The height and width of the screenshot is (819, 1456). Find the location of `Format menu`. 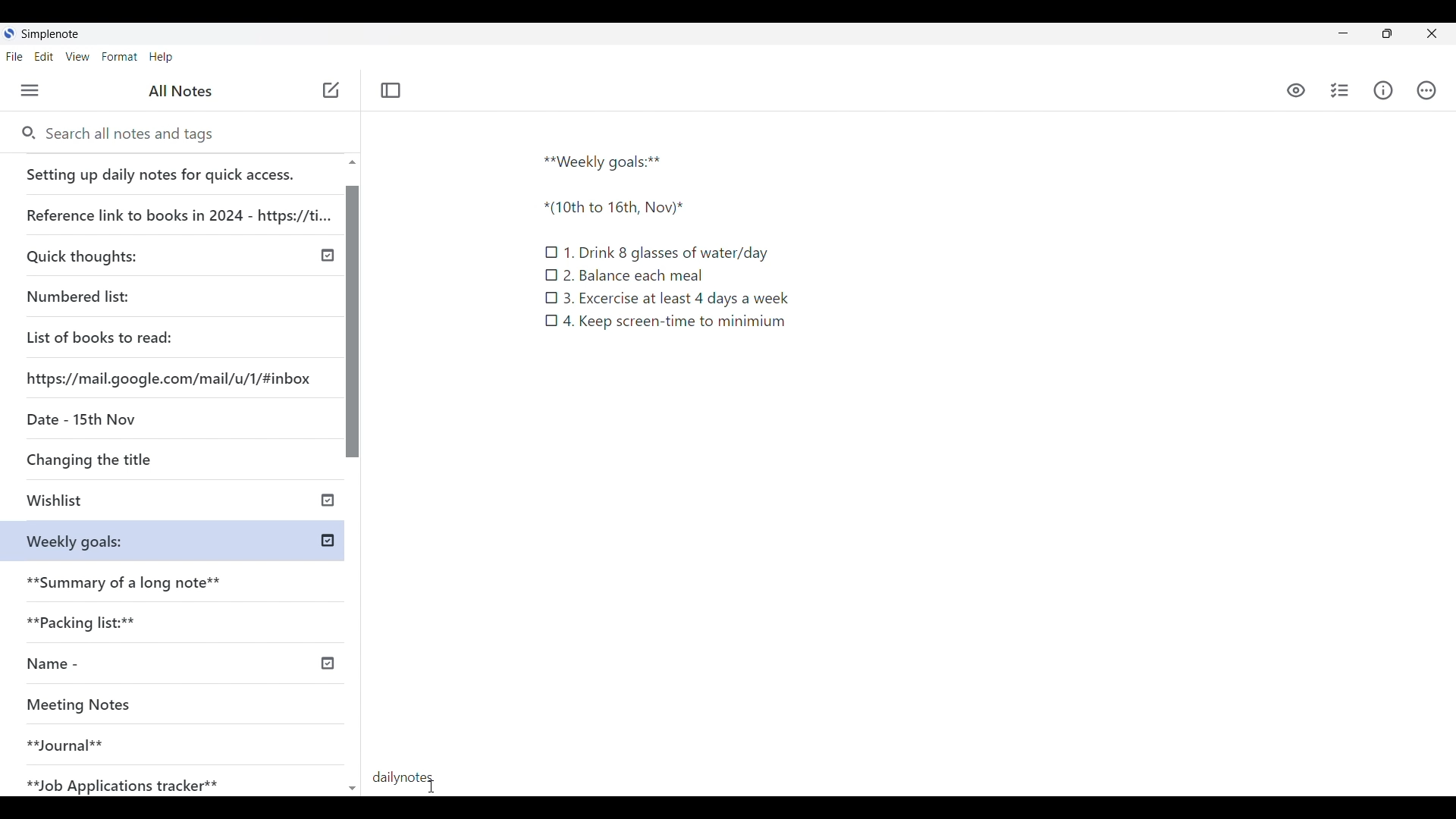

Format menu is located at coordinates (120, 57).